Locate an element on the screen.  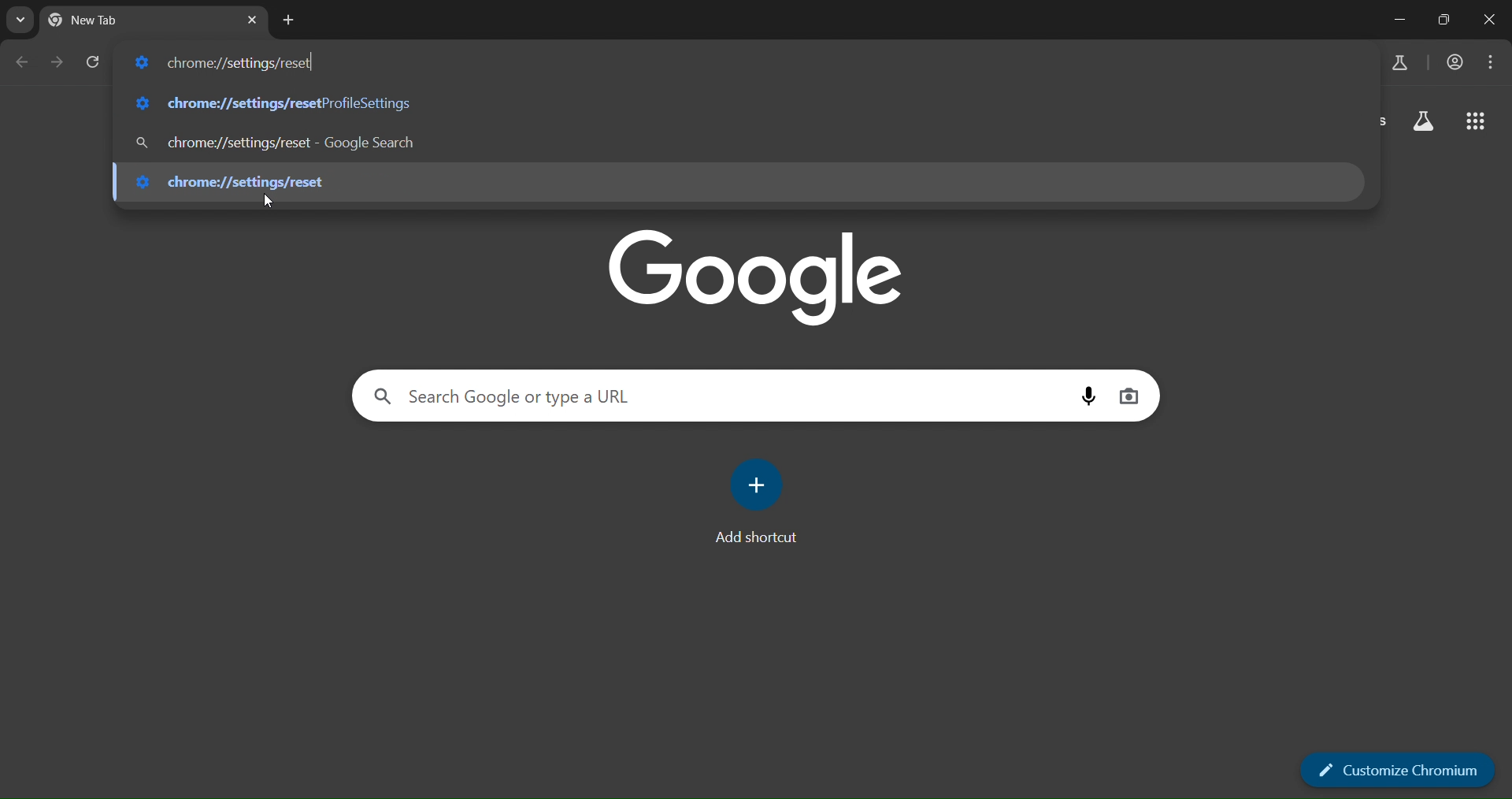
google is located at coordinates (754, 274).